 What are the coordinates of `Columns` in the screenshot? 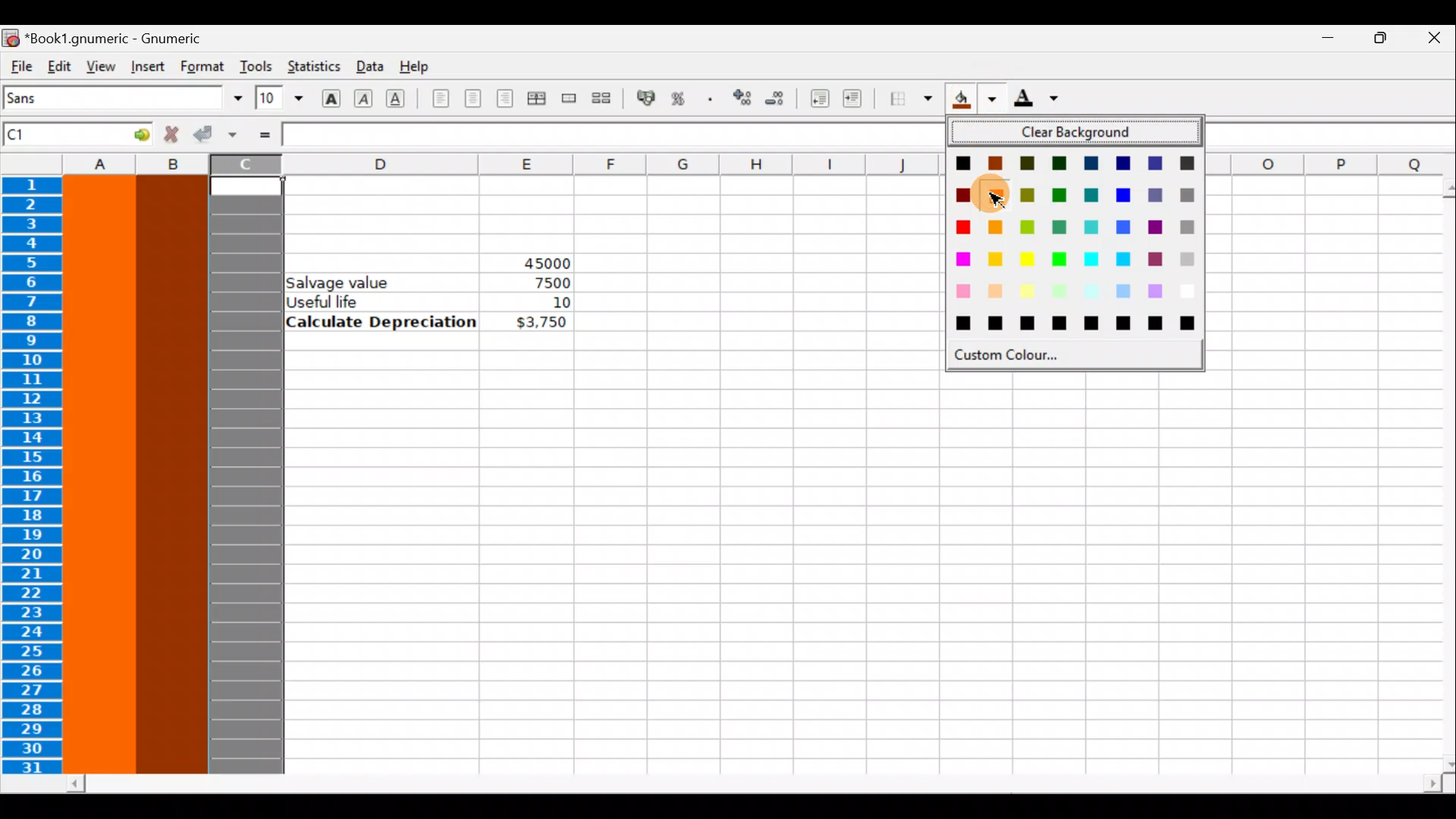 It's located at (463, 165).